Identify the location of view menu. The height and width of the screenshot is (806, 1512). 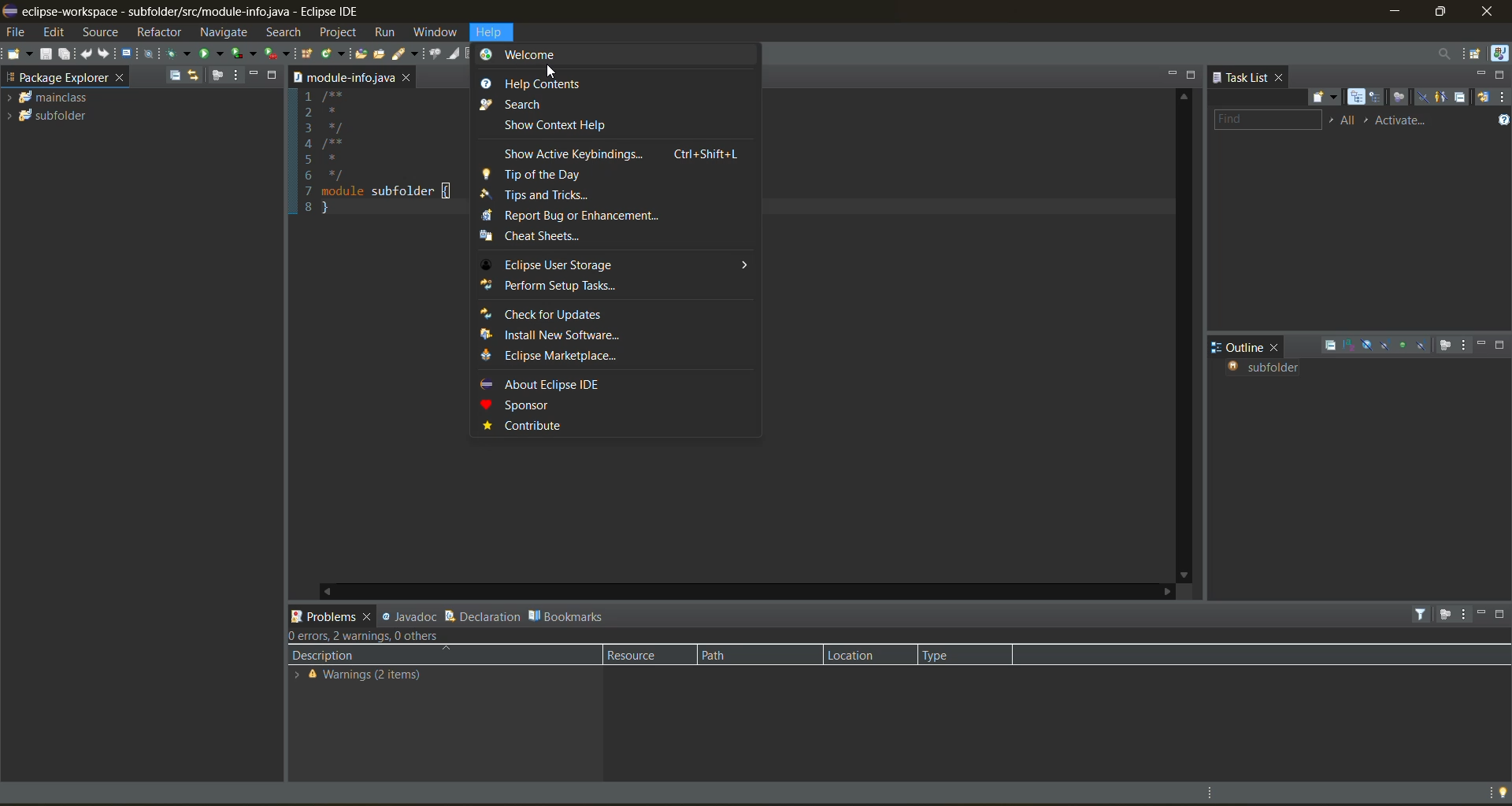
(1465, 346).